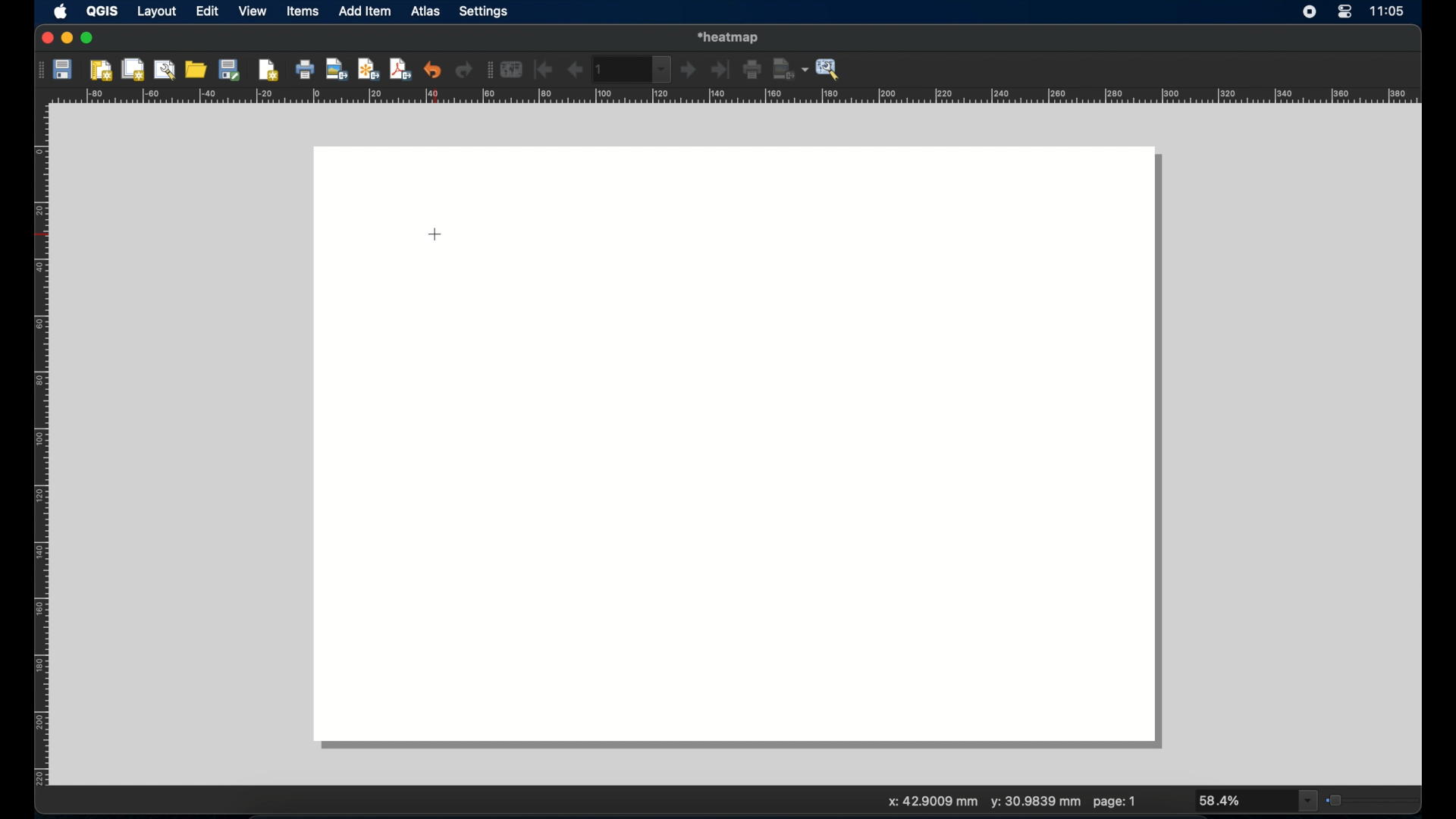 Image resolution: width=1456 pixels, height=819 pixels. I want to click on previous feature, so click(574, 70).